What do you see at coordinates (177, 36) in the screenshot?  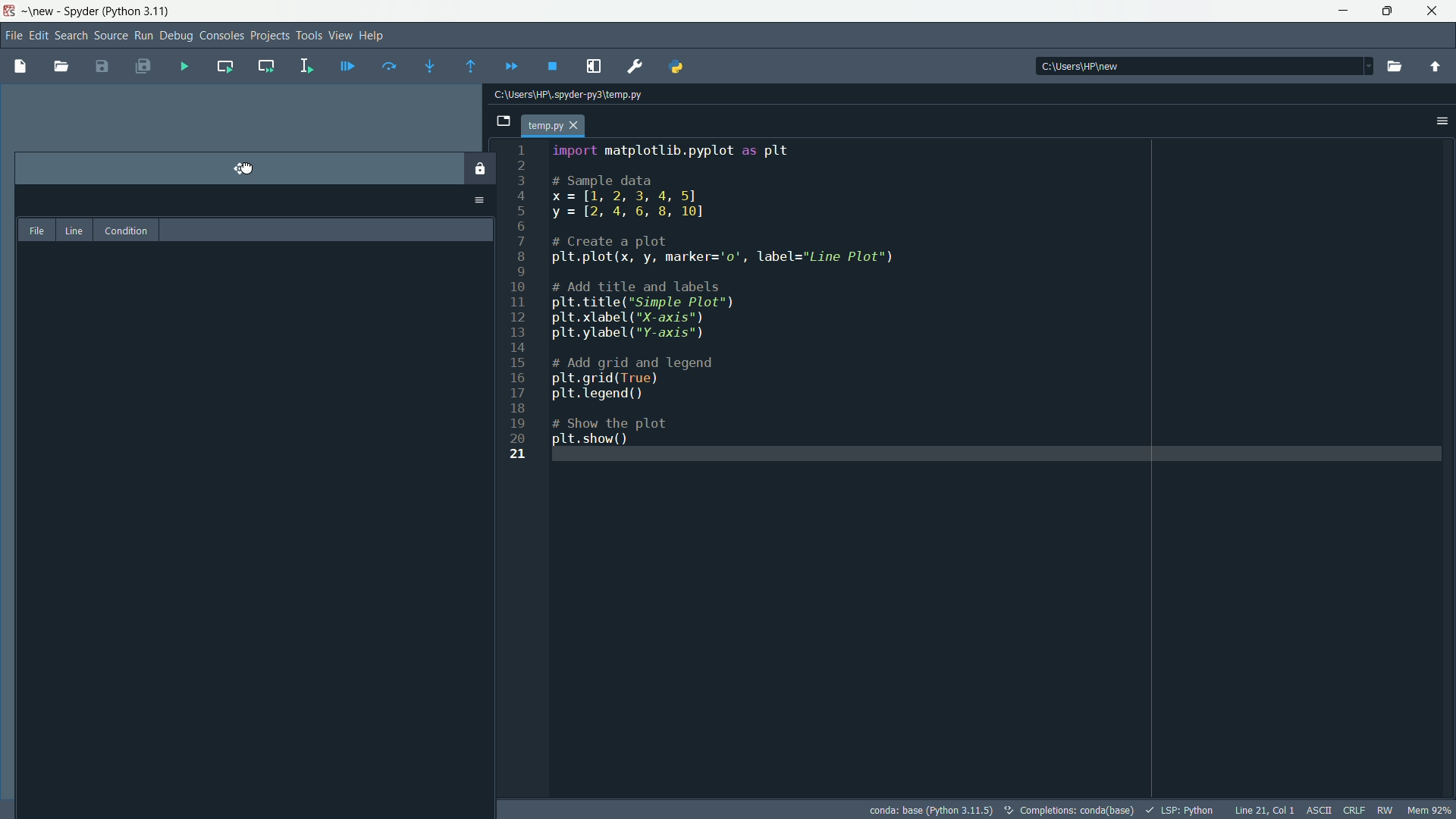 I see `debug menu` at bounding box center [177, 36].